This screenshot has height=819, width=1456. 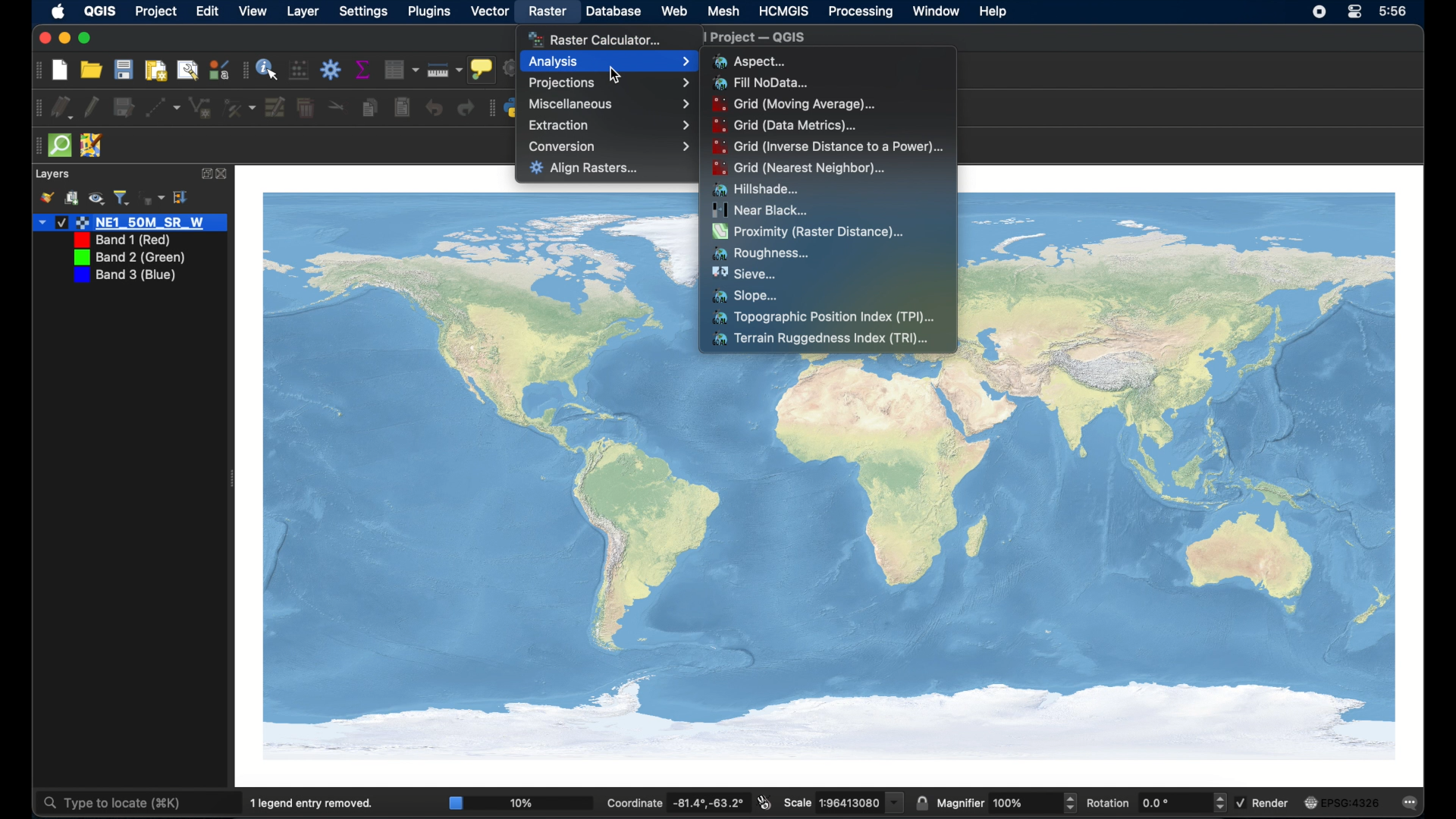 I want to click on Pointer cursor, so click(x=619, y=74).